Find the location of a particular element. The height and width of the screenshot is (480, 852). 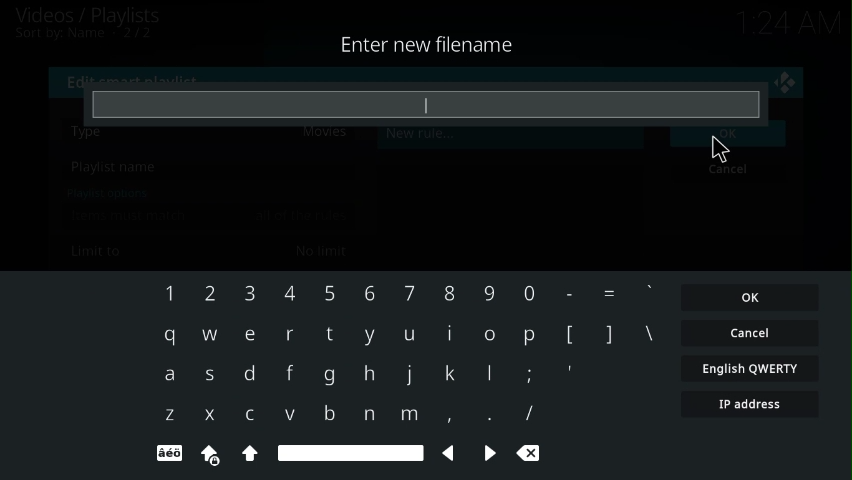

type is located at coordinates (443, 105).